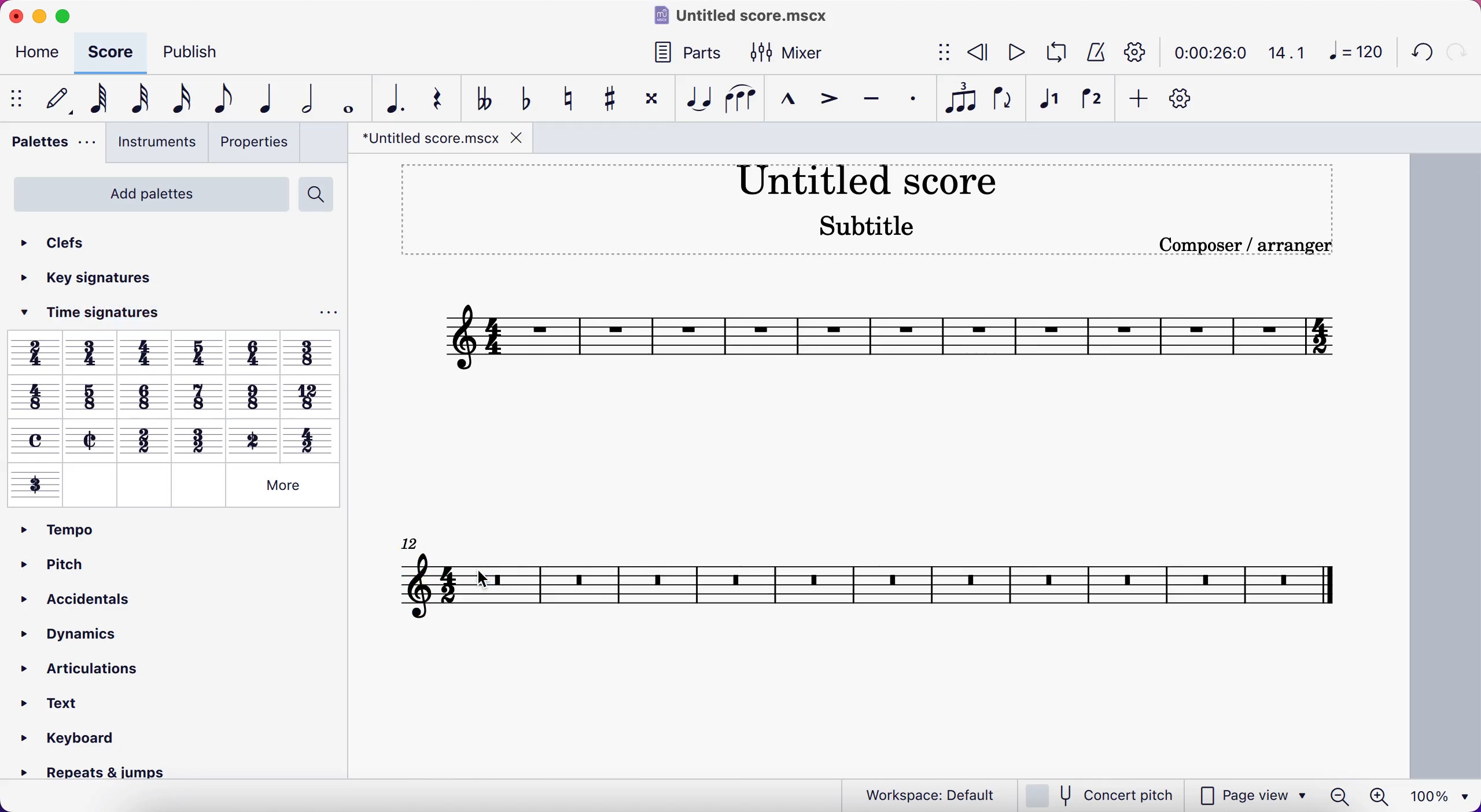  I want to click on accent, so click(826, 98).